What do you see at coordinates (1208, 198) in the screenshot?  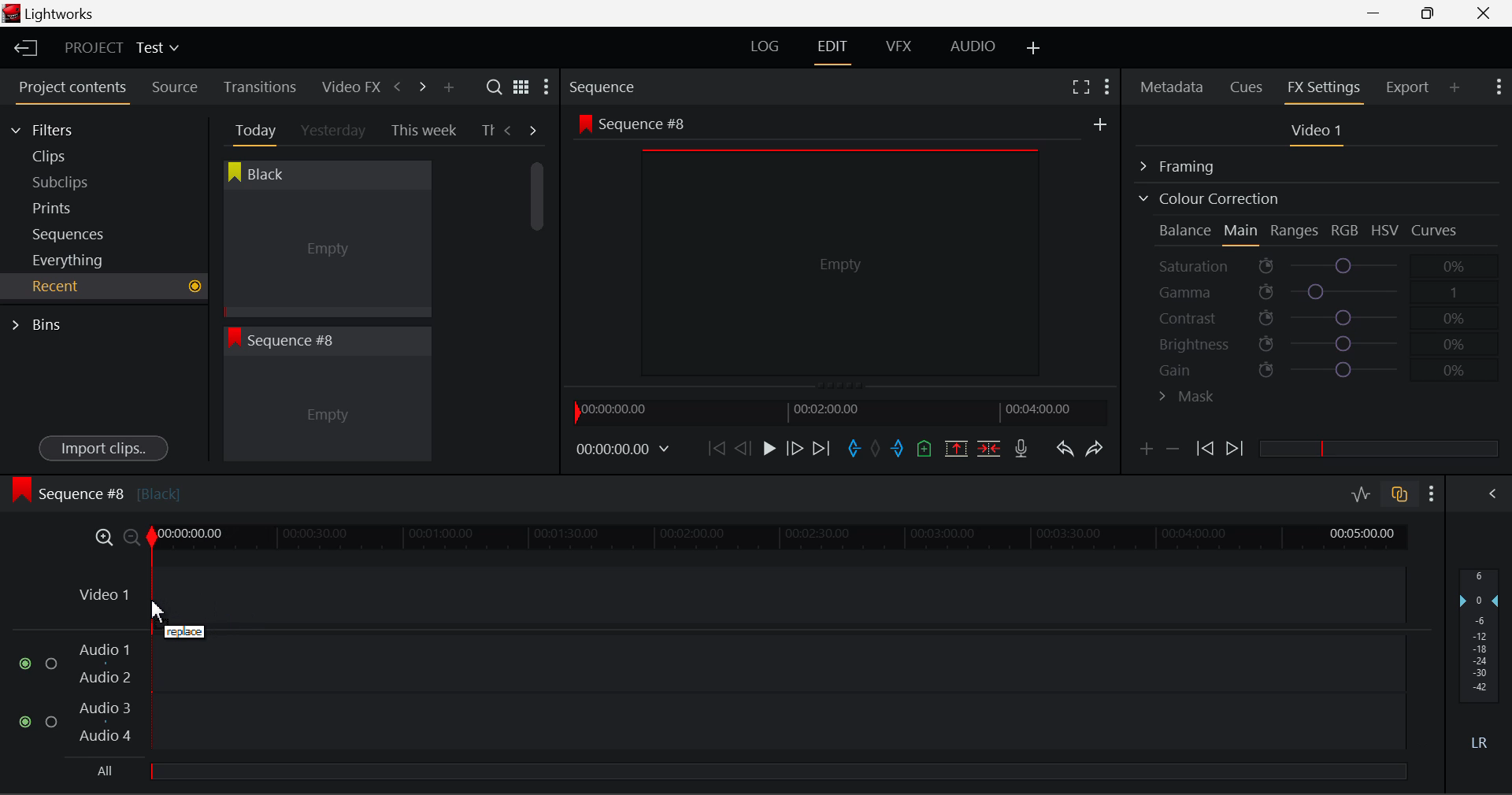 I see `Colour Correction` at bounding box center [1208, 198].